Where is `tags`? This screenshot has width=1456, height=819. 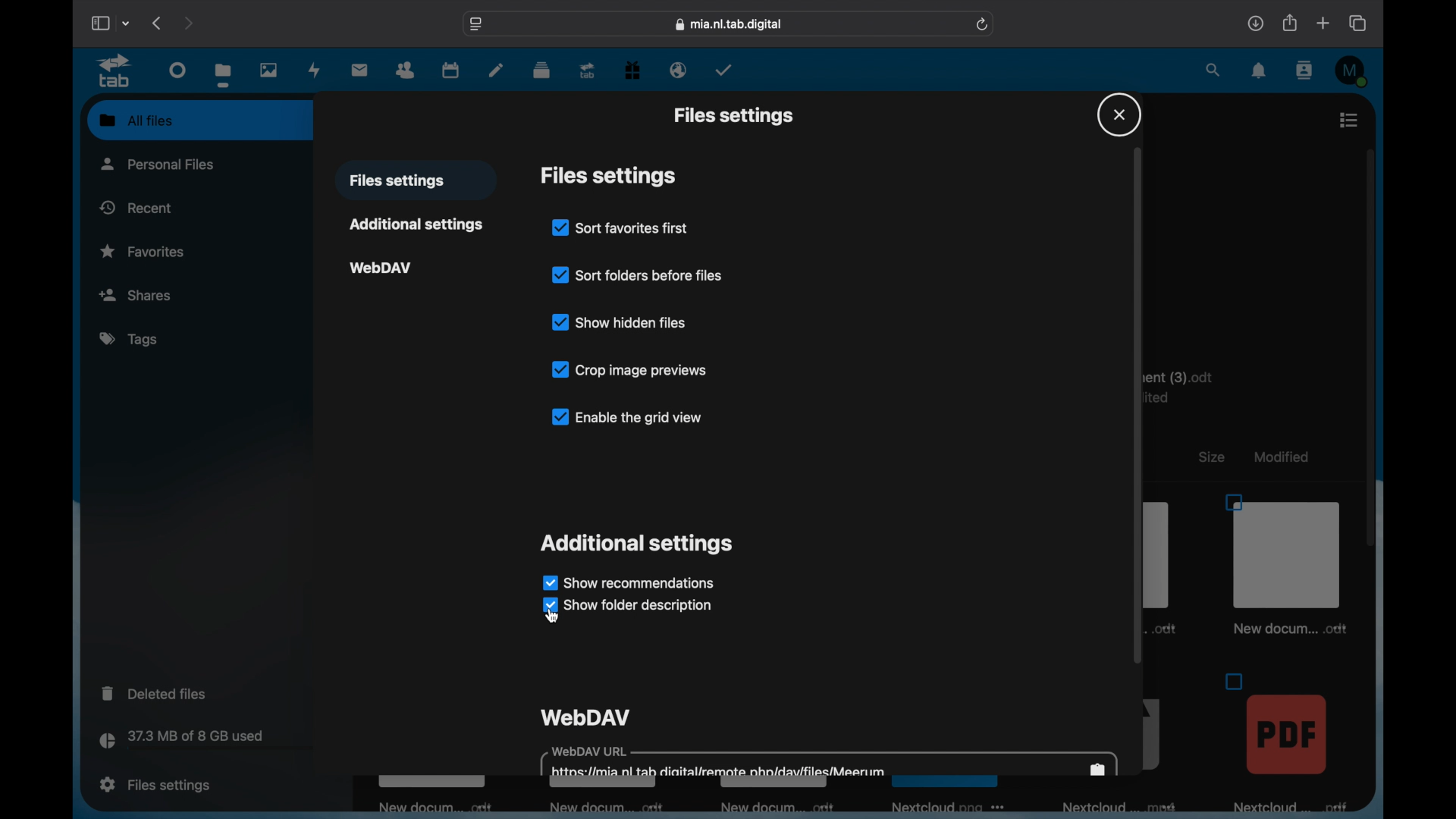 tags is located at coordinates (127, 338).